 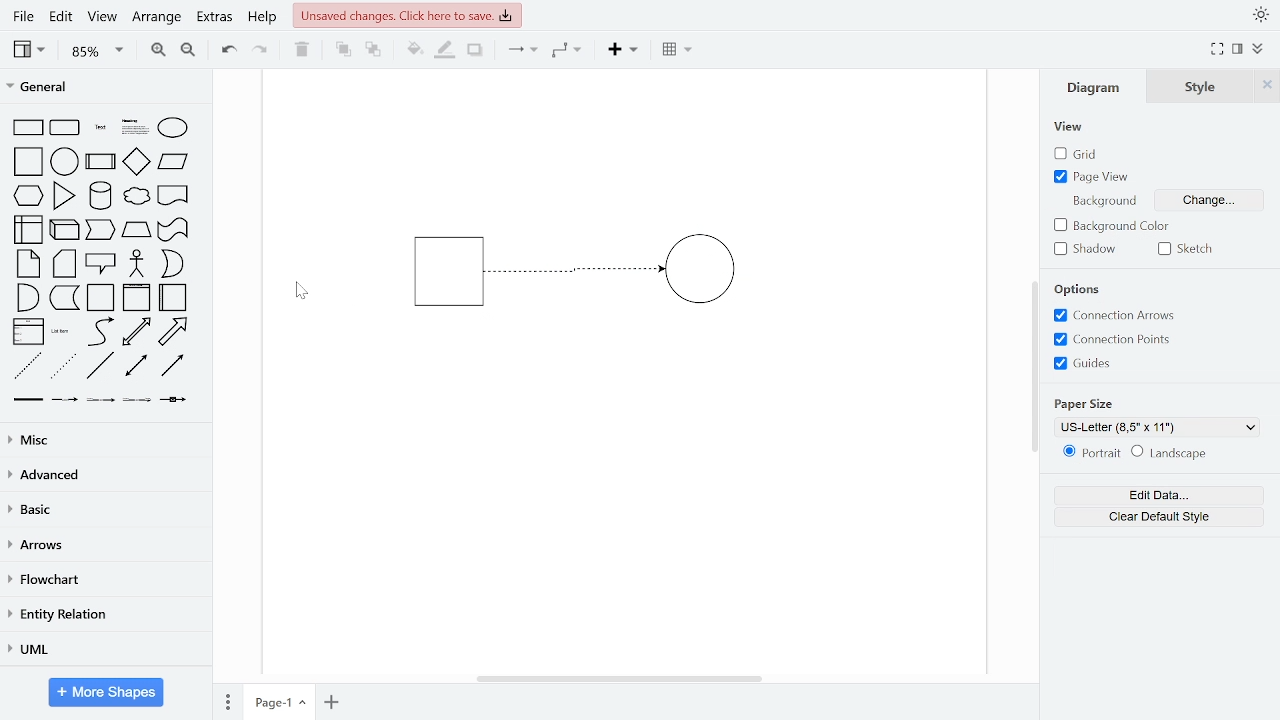 What do you see at coordinates (279, 701) in the screenshot?
I see `current page` at bounding box center [279, 701].